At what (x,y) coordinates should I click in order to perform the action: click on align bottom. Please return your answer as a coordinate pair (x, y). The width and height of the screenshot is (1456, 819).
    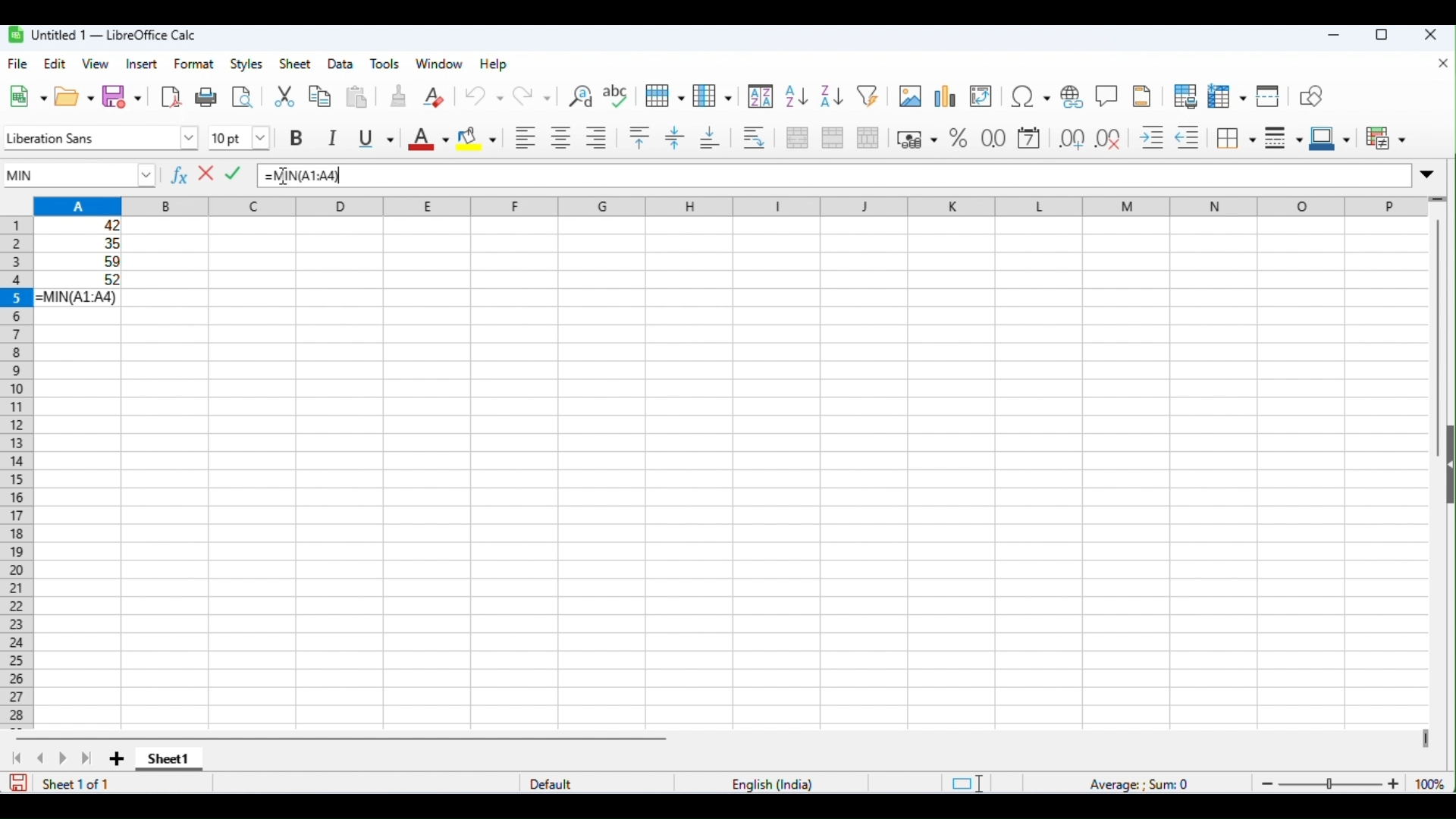
    Looking at the image, I should click on (711, 138).